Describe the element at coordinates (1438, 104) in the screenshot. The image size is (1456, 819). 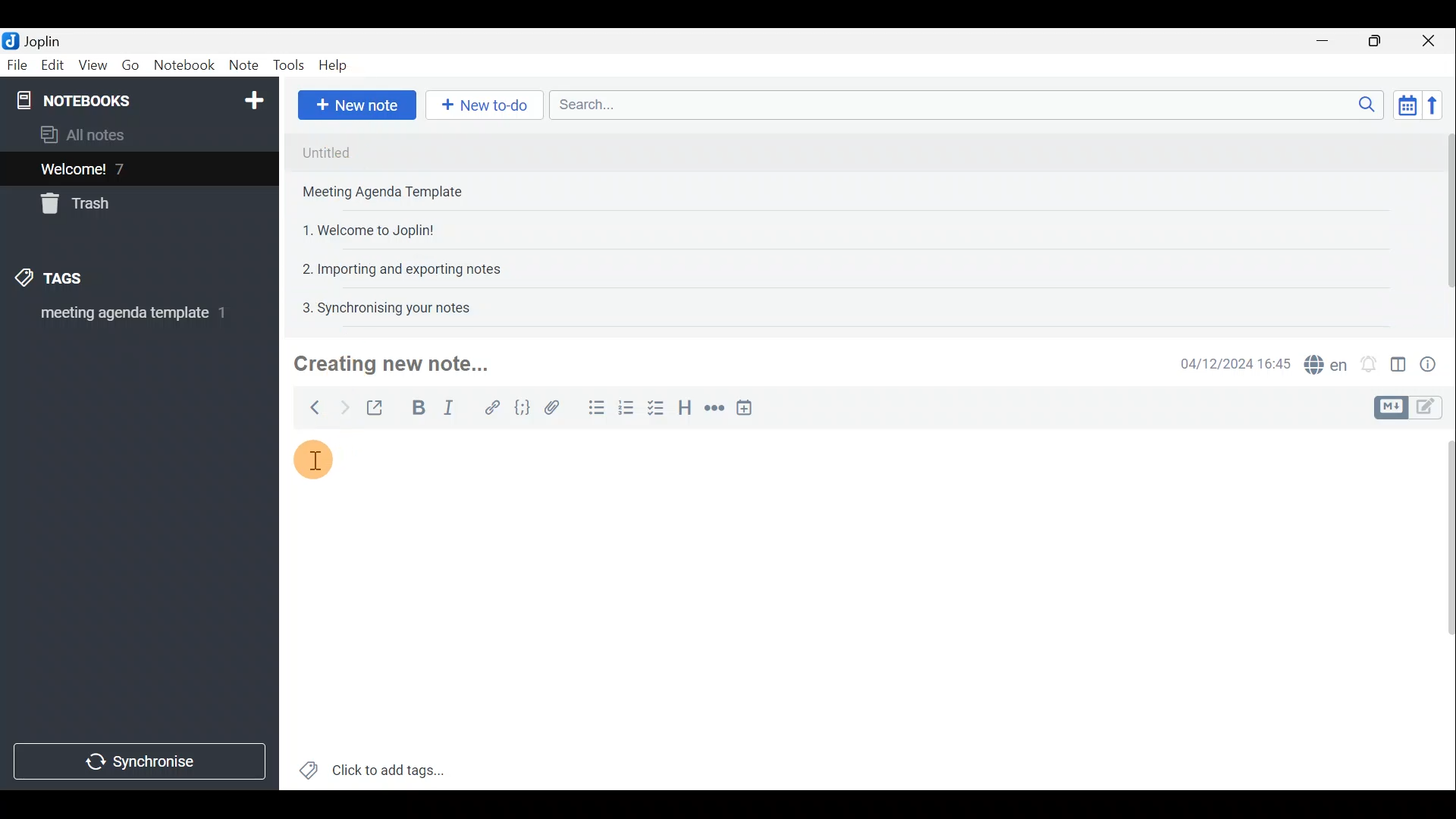
I see `Reverse sort order` at that location.